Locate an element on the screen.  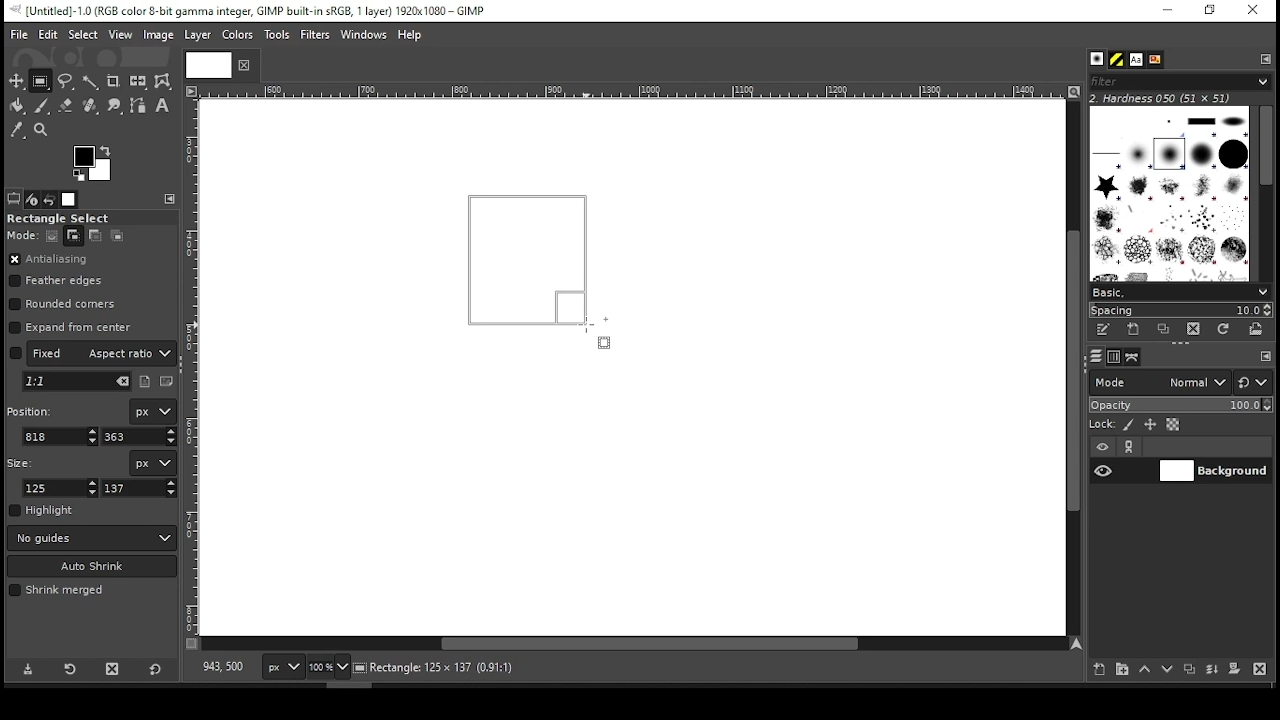
reset to defaults is located at coordinates (156, 670).